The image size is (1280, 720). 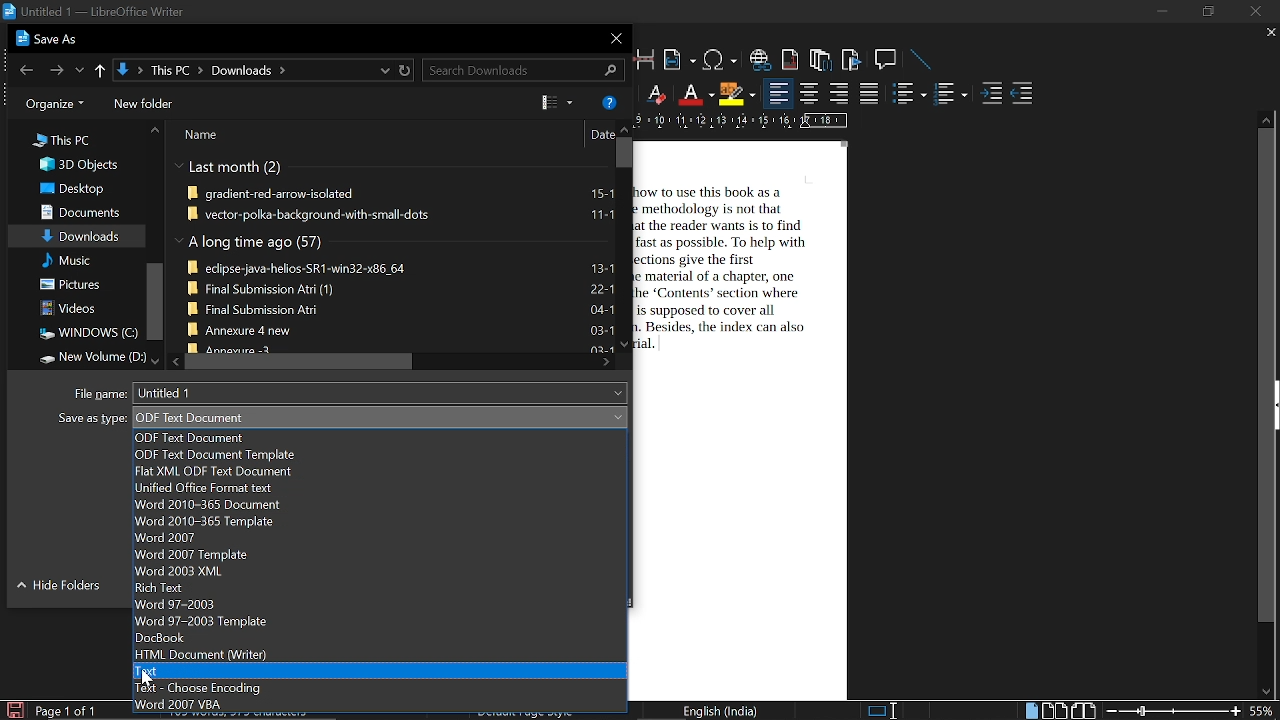 I want to click on language style, so click(x=724, y=711).